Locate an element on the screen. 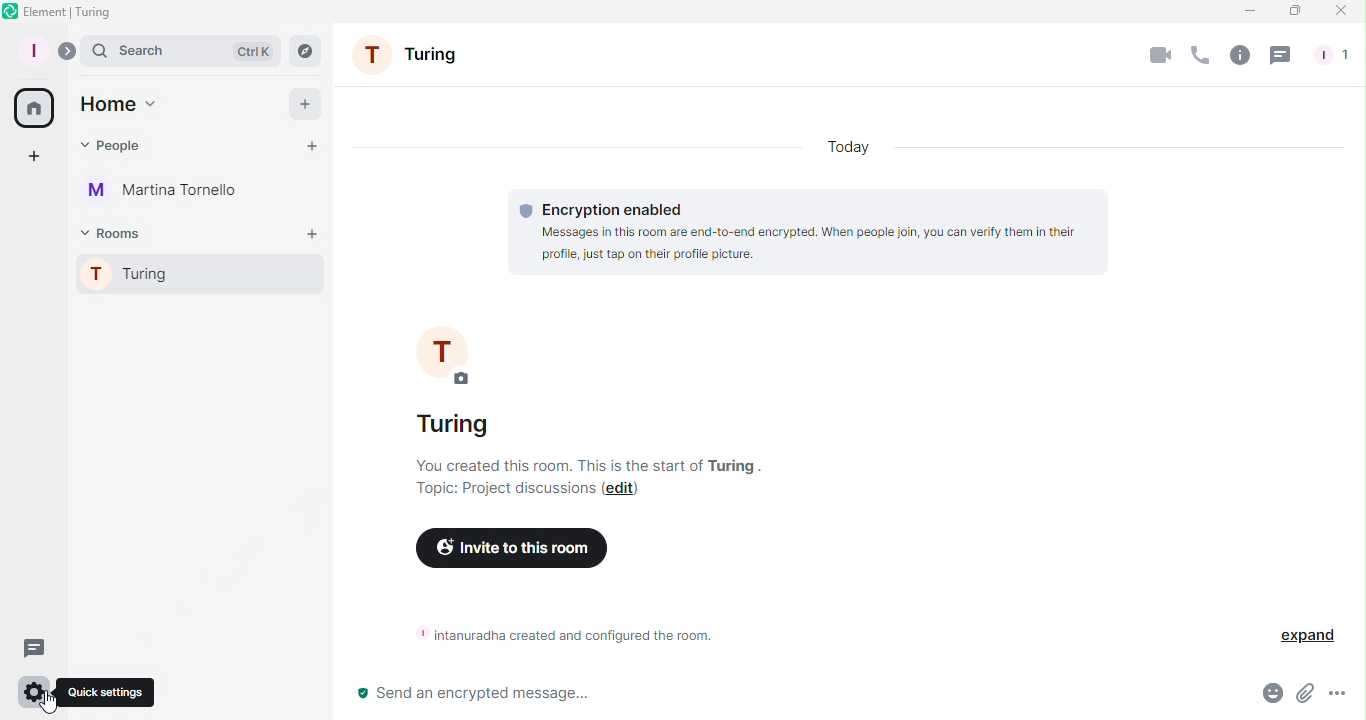 The width and height of the screenshot is (1366, 720). Attachment is located at coordinates (1305, 695).